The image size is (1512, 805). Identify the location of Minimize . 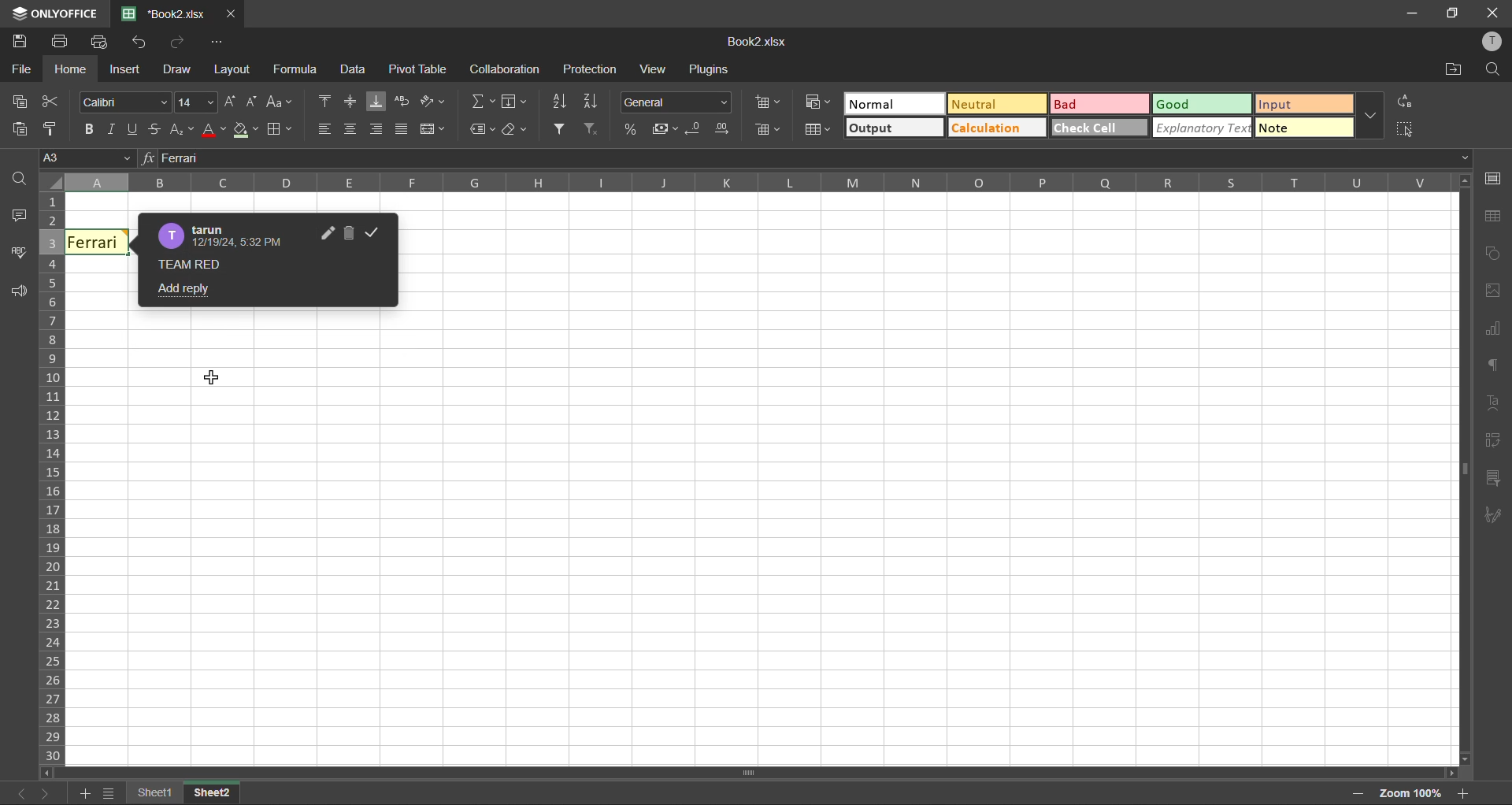
(1413, 13).